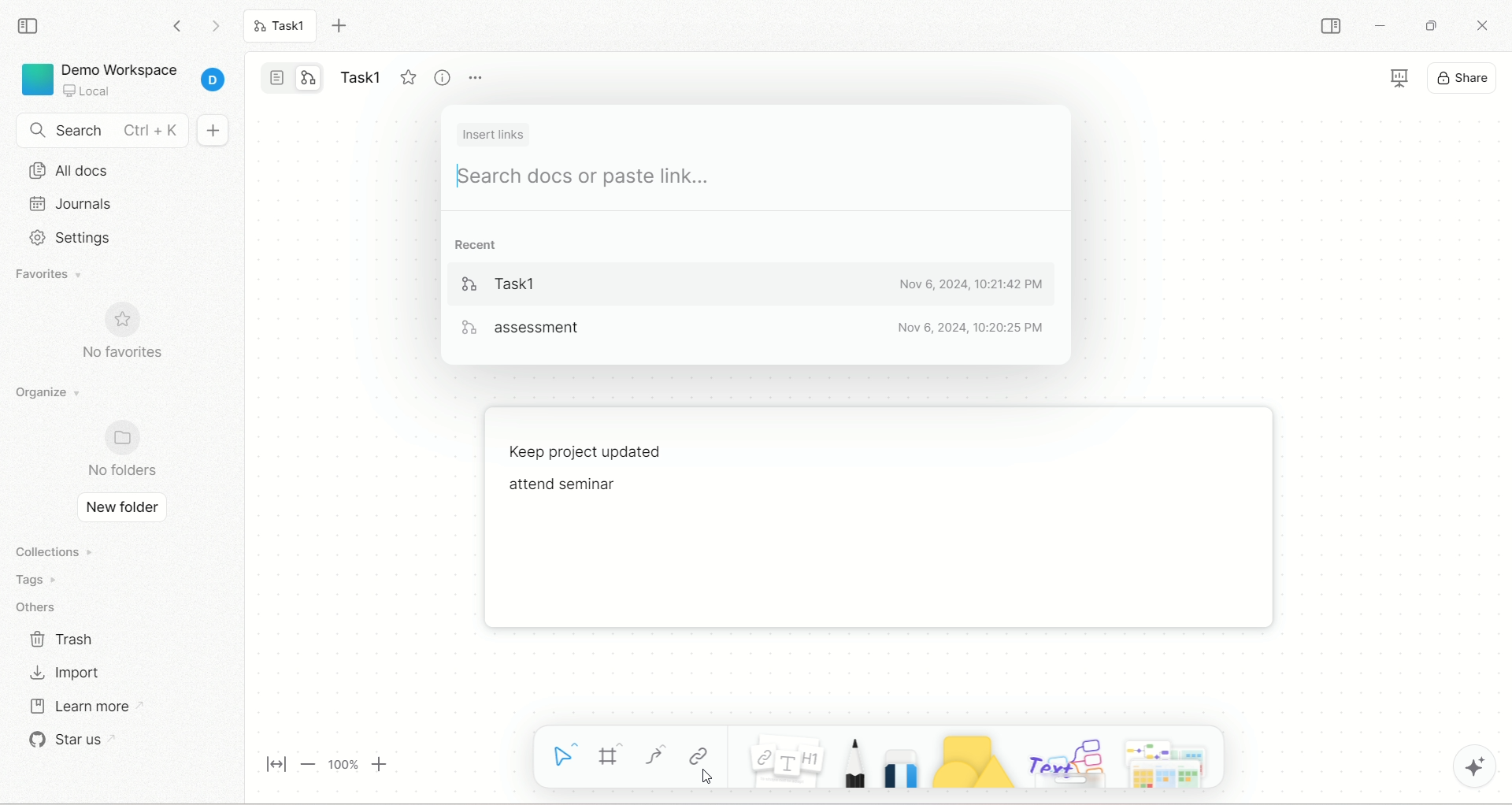 Image resolution: width=1512 pixels, height=805 pixels. I want to click on select, so click(559, 756).